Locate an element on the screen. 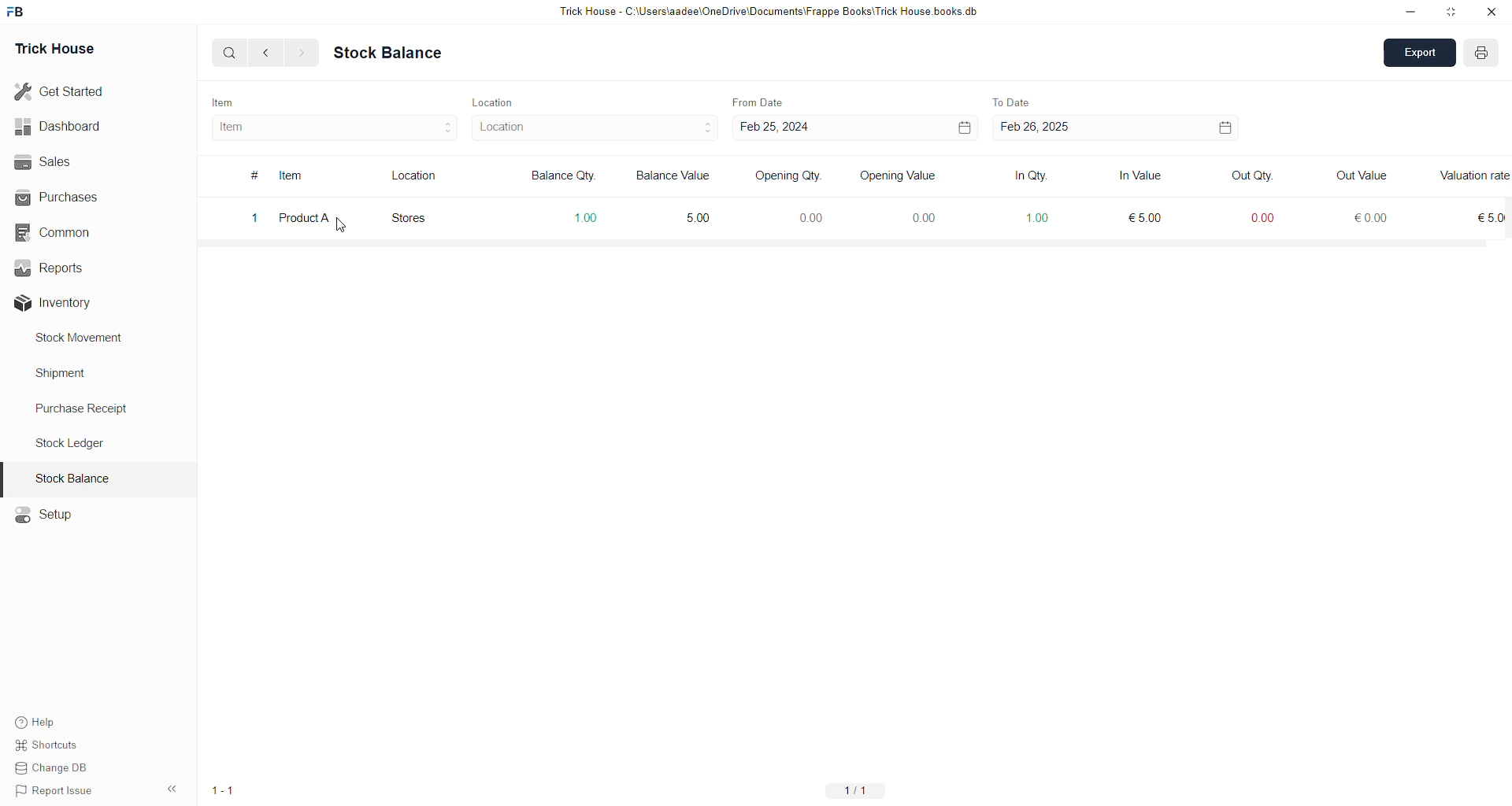 The image size is (1512, 806). Frappe Books logo is located at coordinates (17, 14).